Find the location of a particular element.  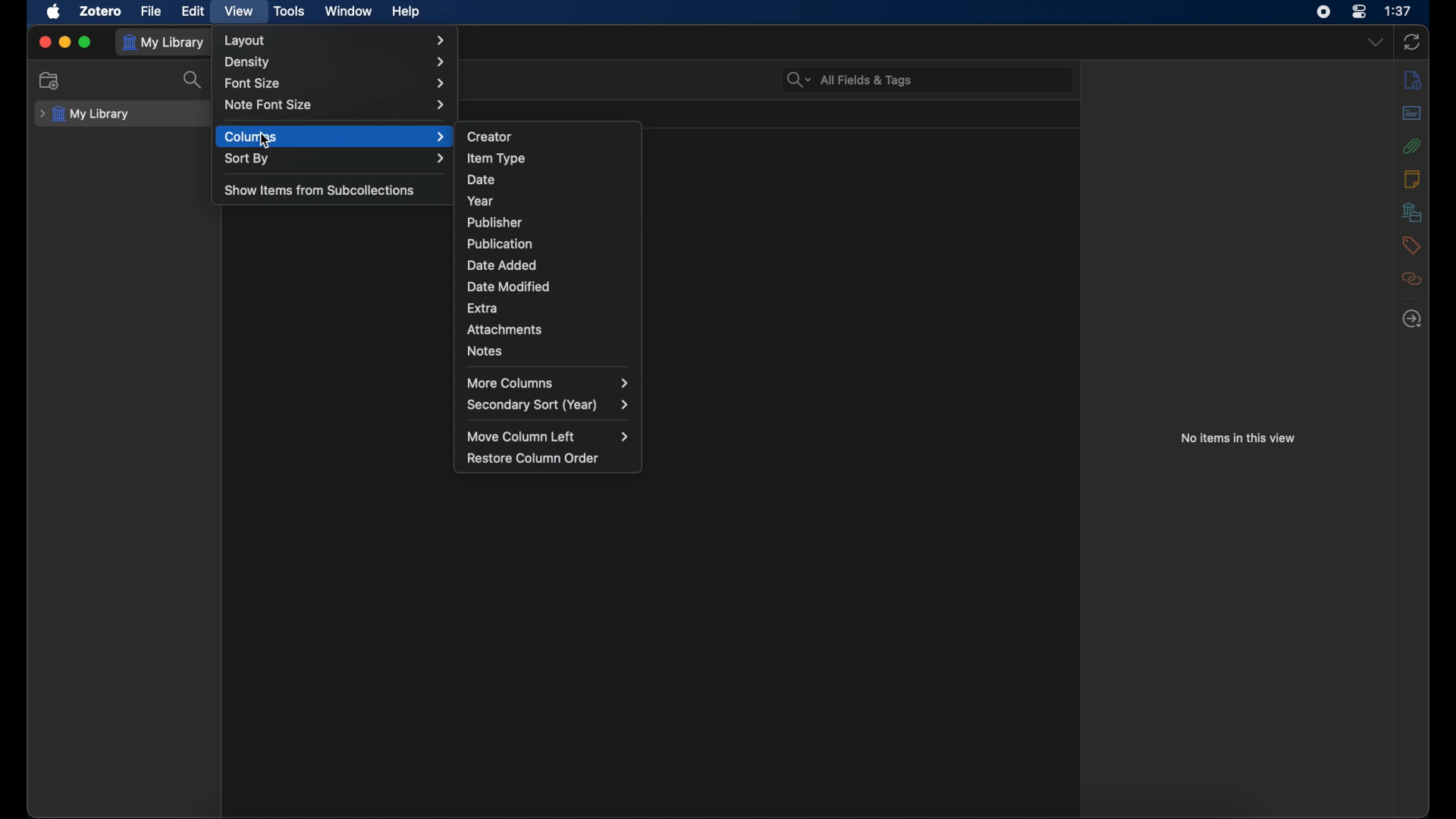

screen recorder is located at coordinates (1323, 11).